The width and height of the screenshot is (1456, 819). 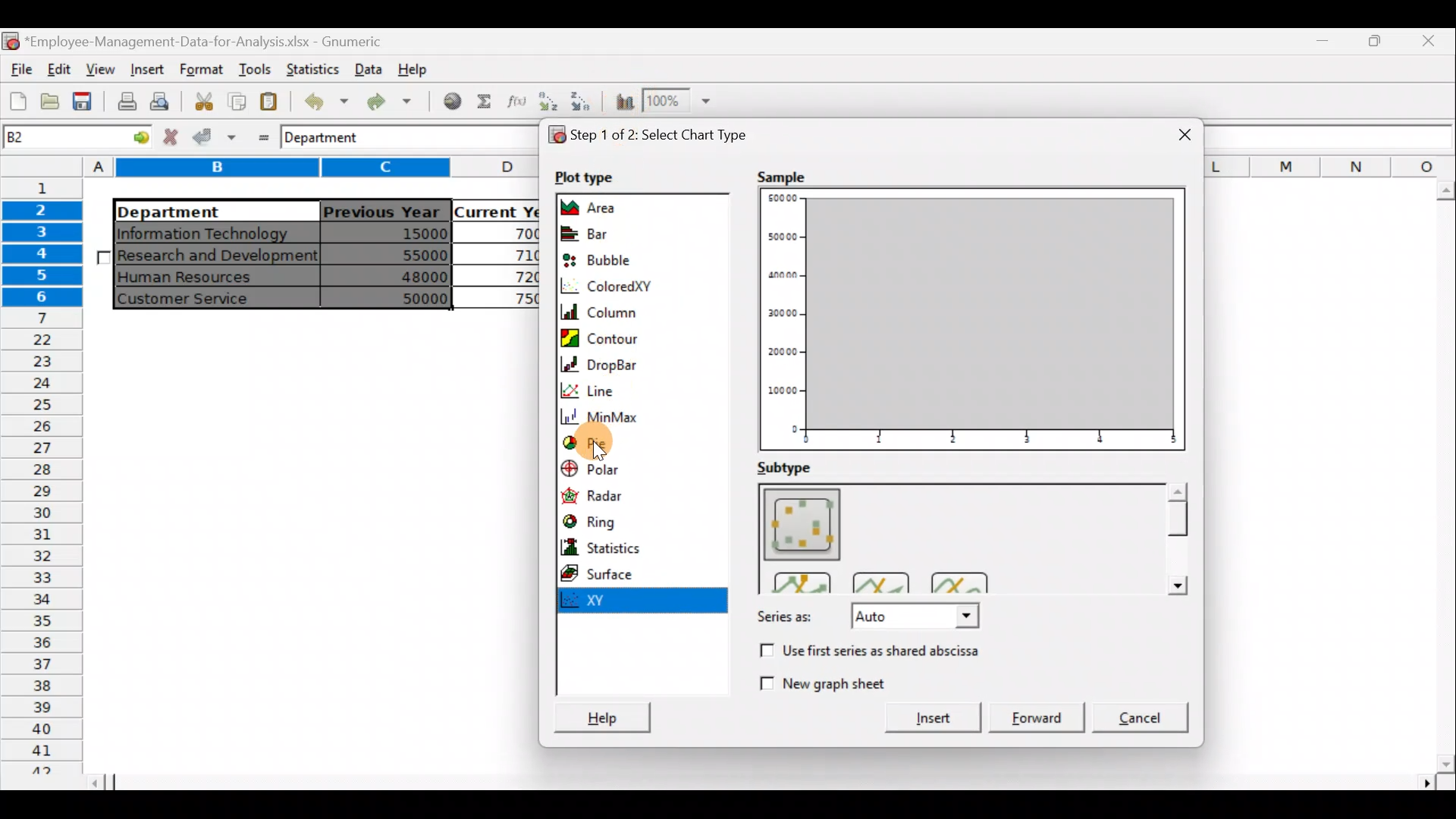 I want to click on Pie, so click(x=590, y=444).